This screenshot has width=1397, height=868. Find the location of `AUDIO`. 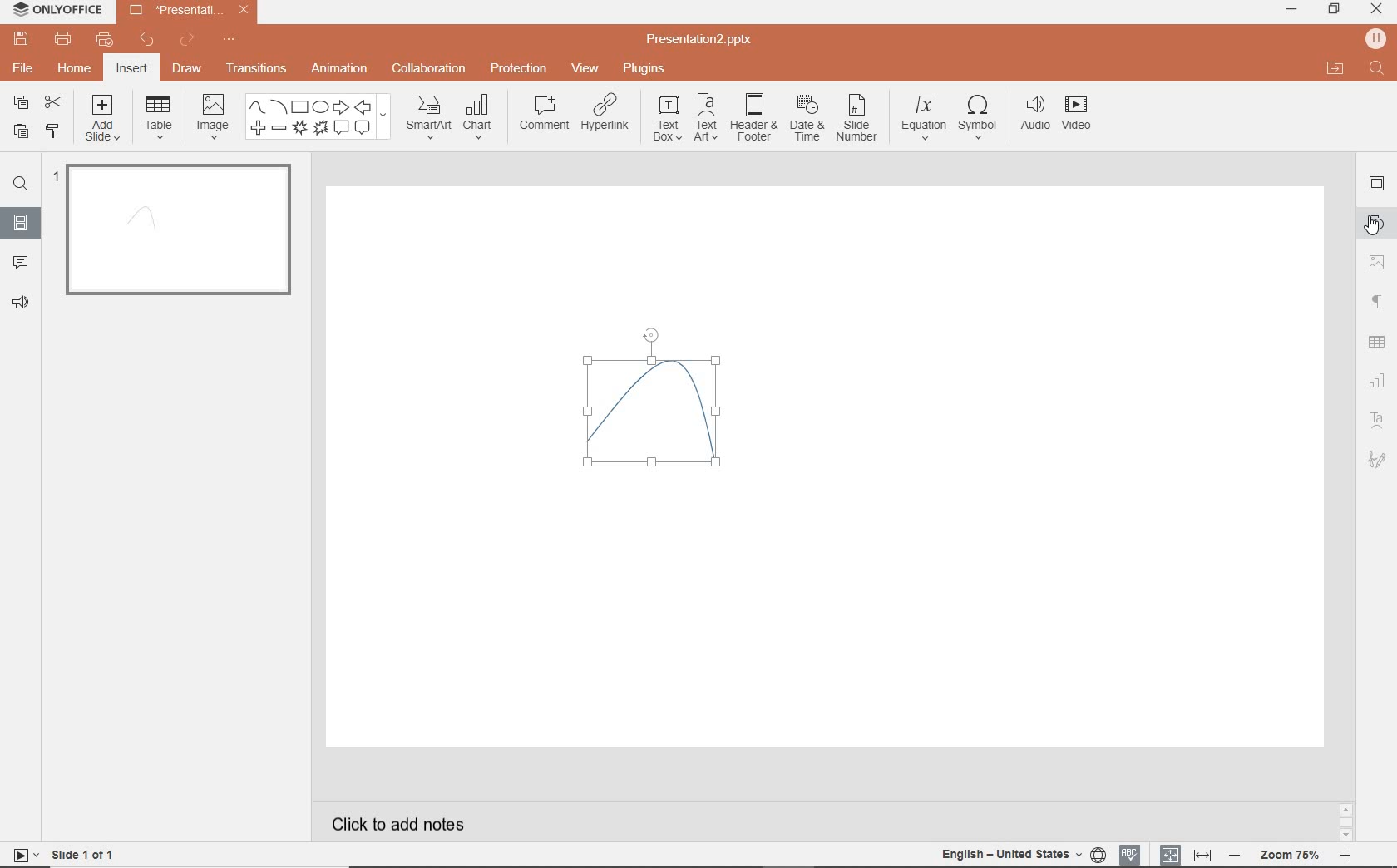

AUDIO is located at coordinates (1036, 114).